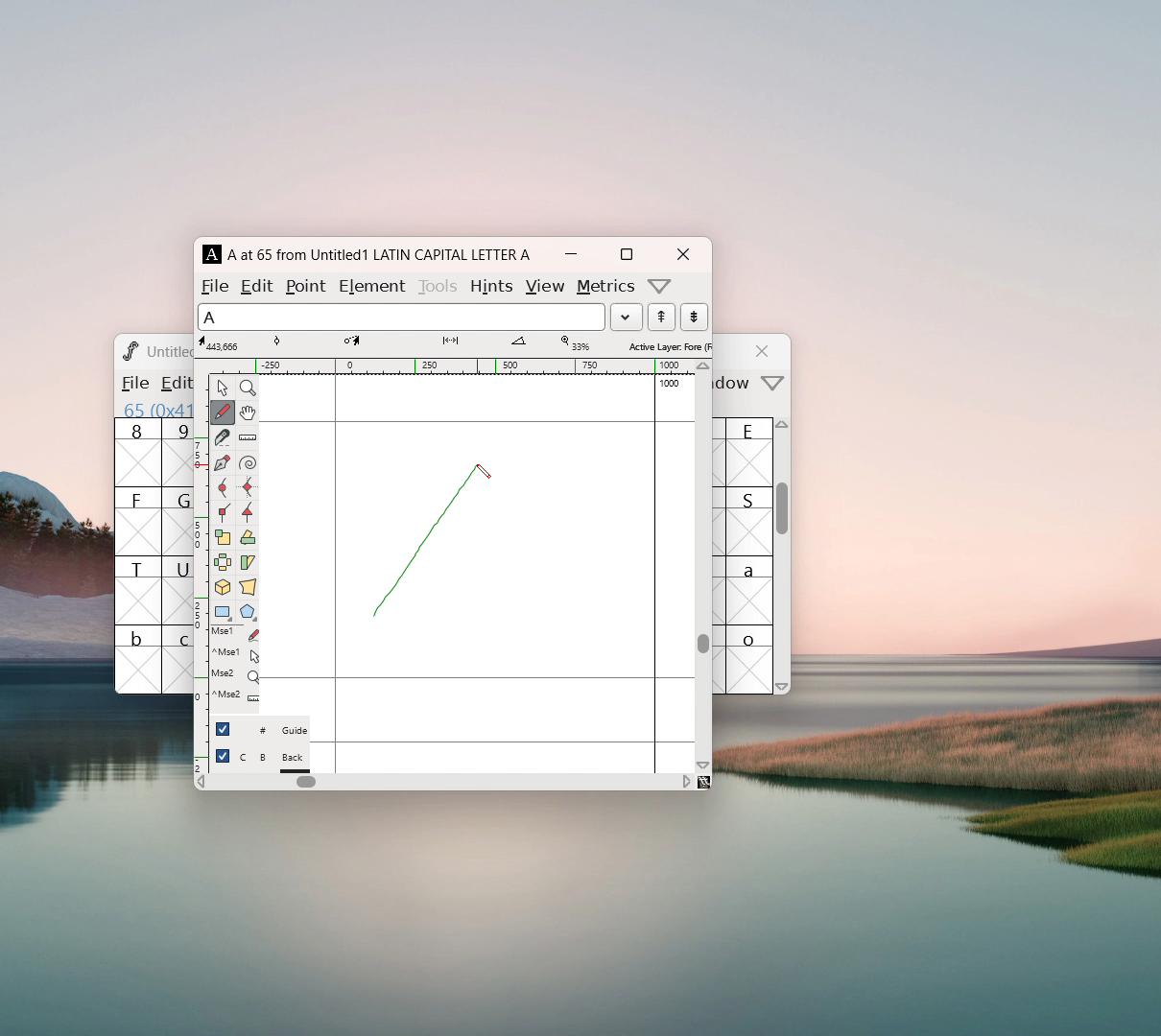 Image resolution: width=1161 pixels, height=1036 pixels. What do you see at coordinates (751, 659) in the screenshot?
I see `o` at bounding box center [751, 659].